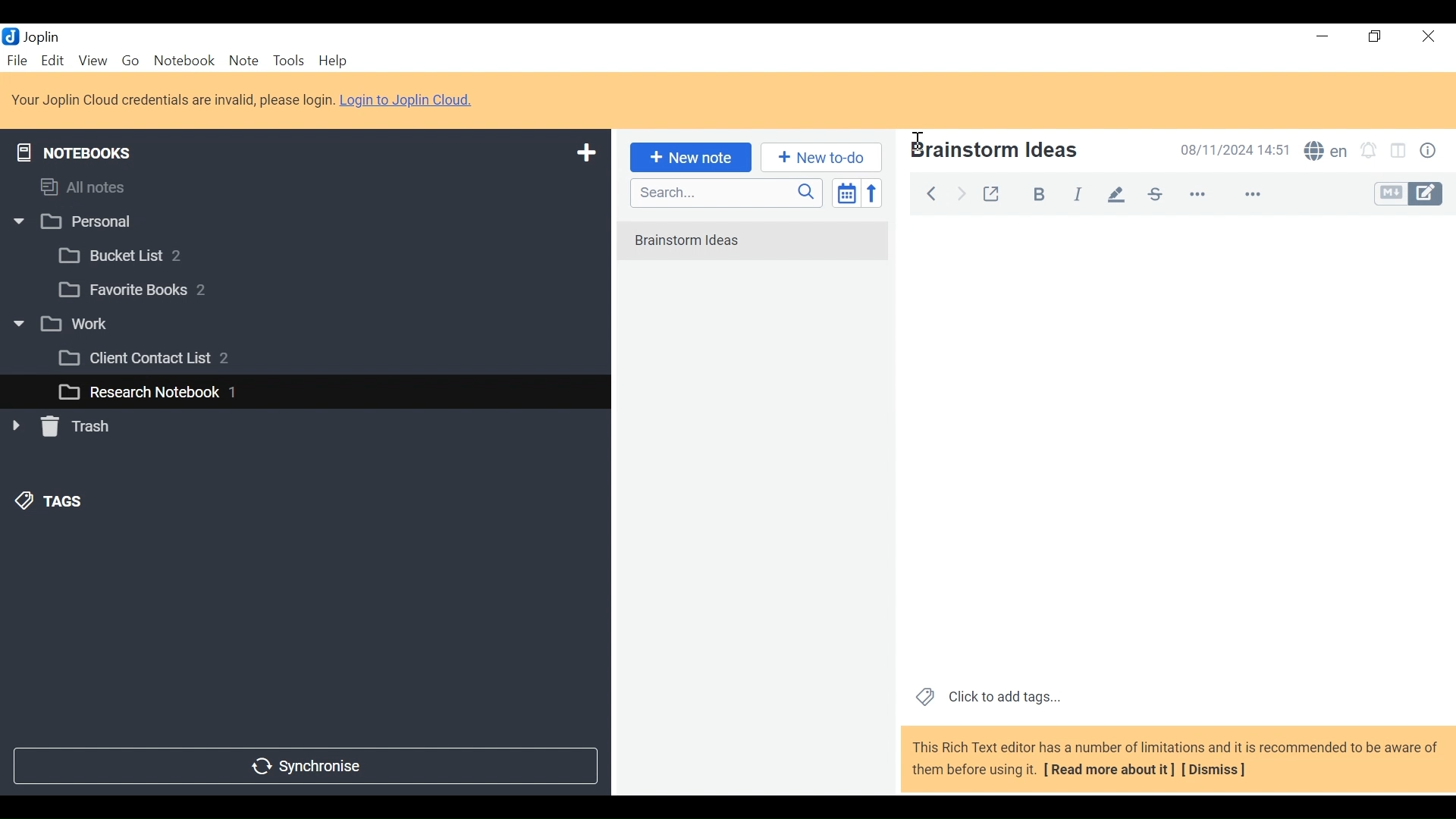 The height and width of the screenshot is (819, 1456). Describe the element at coordinates (186, 60) in the screenshot. I see `Notebook` at that location.